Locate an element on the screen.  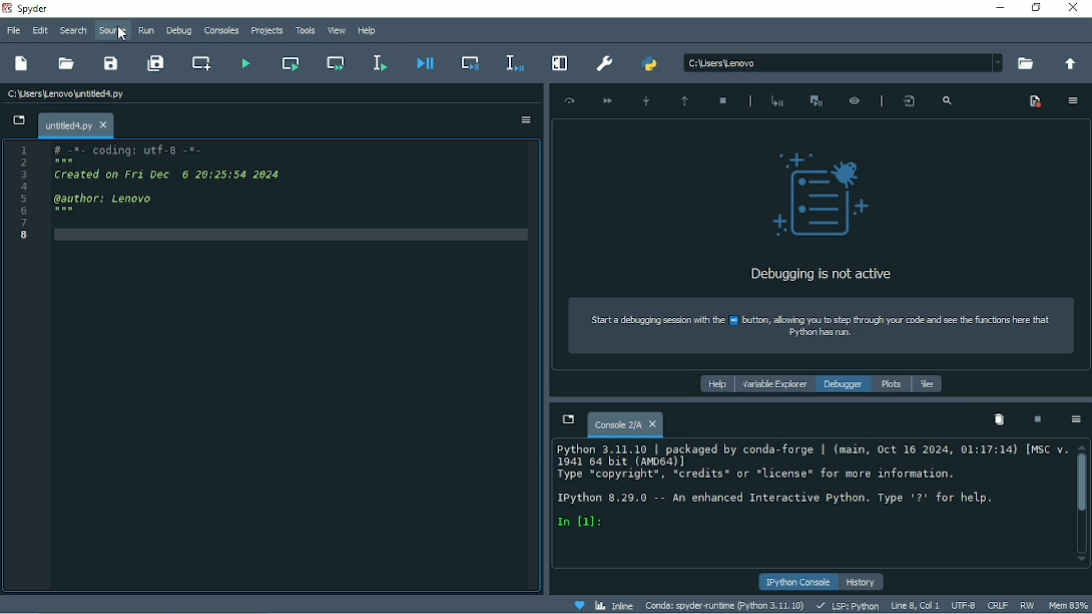
Debugging is not active is located at coordinates (827, 217).